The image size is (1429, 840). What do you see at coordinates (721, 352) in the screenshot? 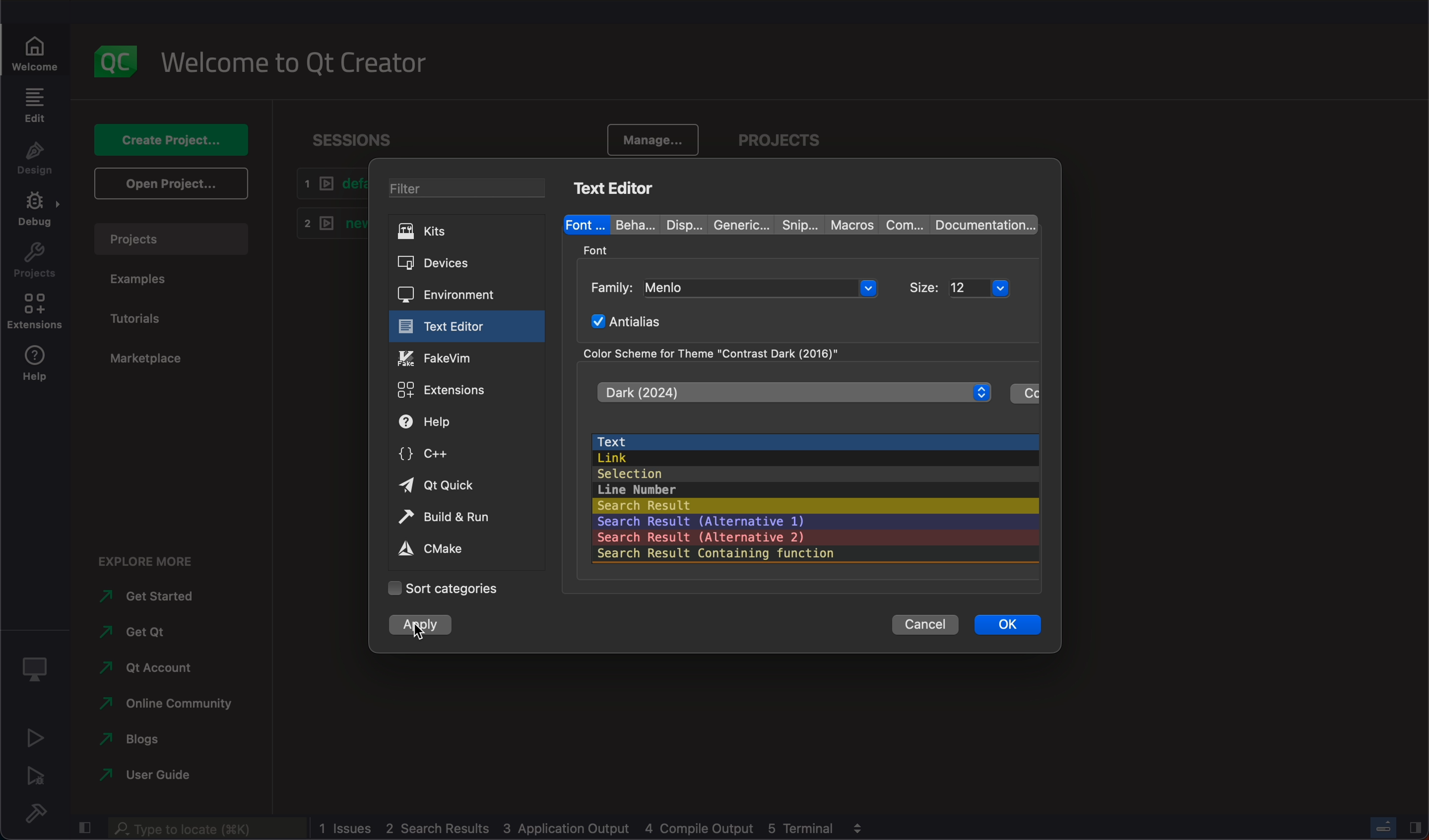
I see `color scheme` at bounding box center [721, 352].